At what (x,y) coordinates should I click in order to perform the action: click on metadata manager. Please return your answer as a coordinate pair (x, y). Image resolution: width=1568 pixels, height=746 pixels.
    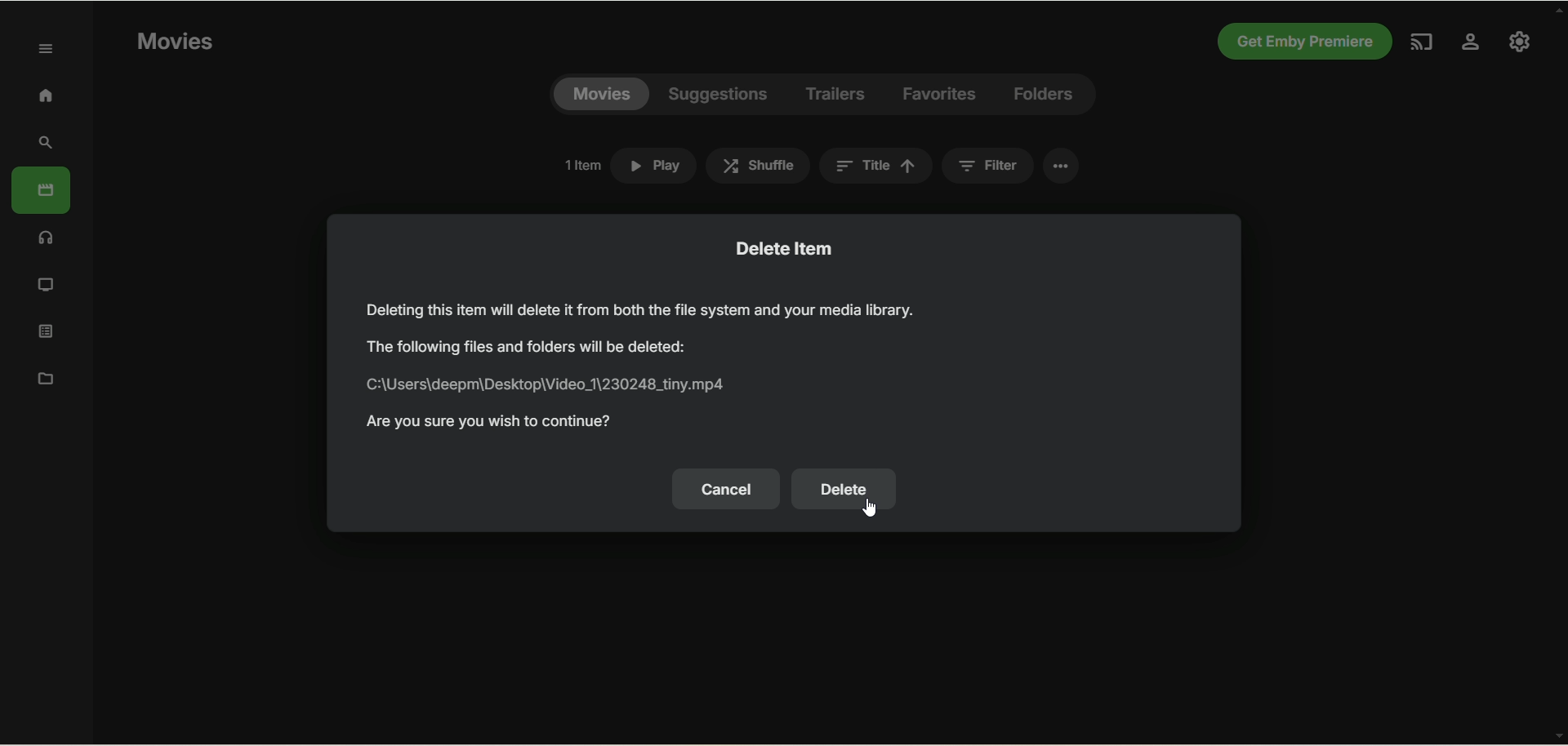
    Looking at the image, I should click on (42, 377).